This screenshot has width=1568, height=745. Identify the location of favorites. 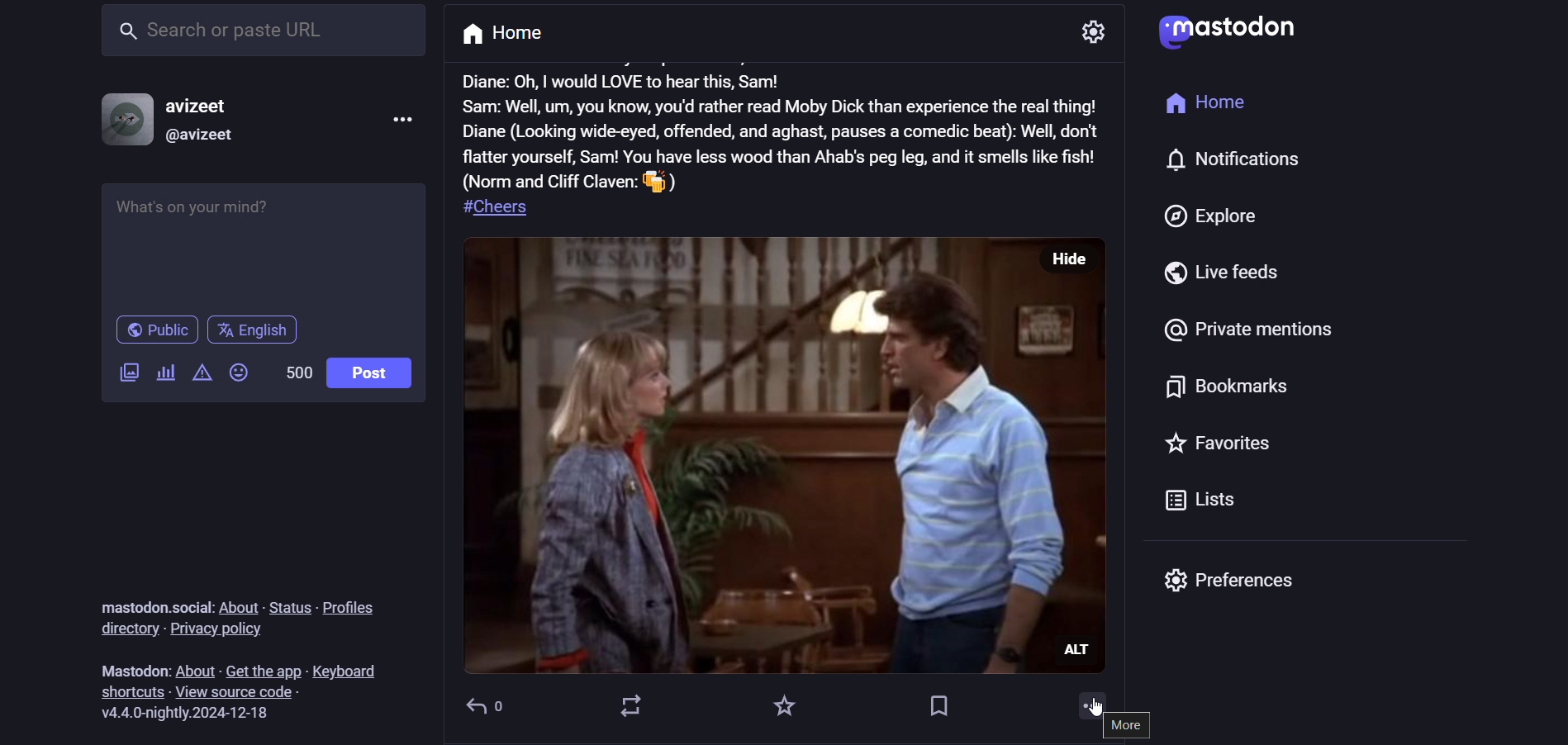
(790, 702).